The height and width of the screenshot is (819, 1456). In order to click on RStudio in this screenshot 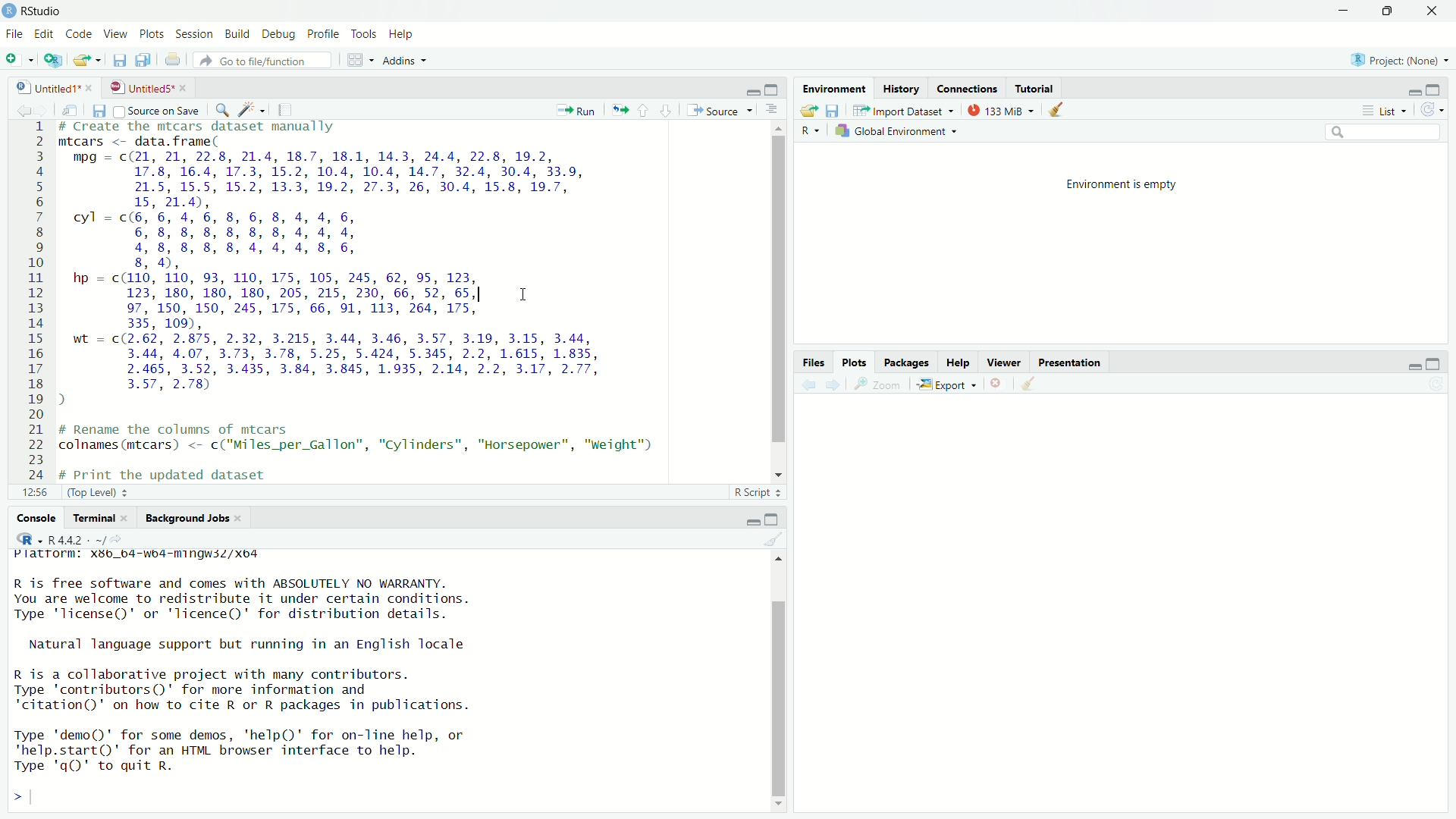, I will do `click(40, 10)`.